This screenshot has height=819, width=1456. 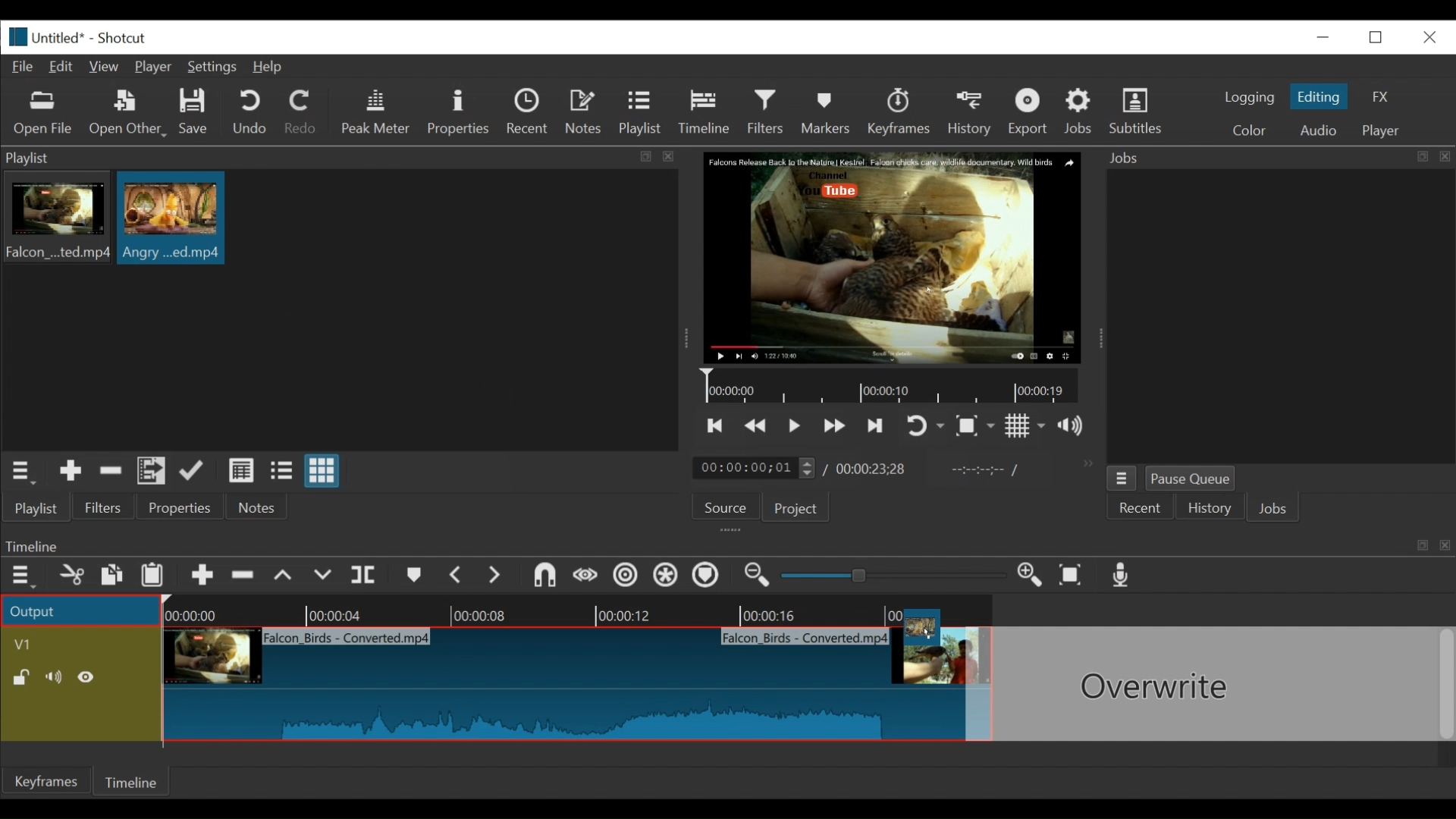 What do you see at coordinates (890, 257) in the screenshot?
I see `media viewer` at bounding box center [890, 257].